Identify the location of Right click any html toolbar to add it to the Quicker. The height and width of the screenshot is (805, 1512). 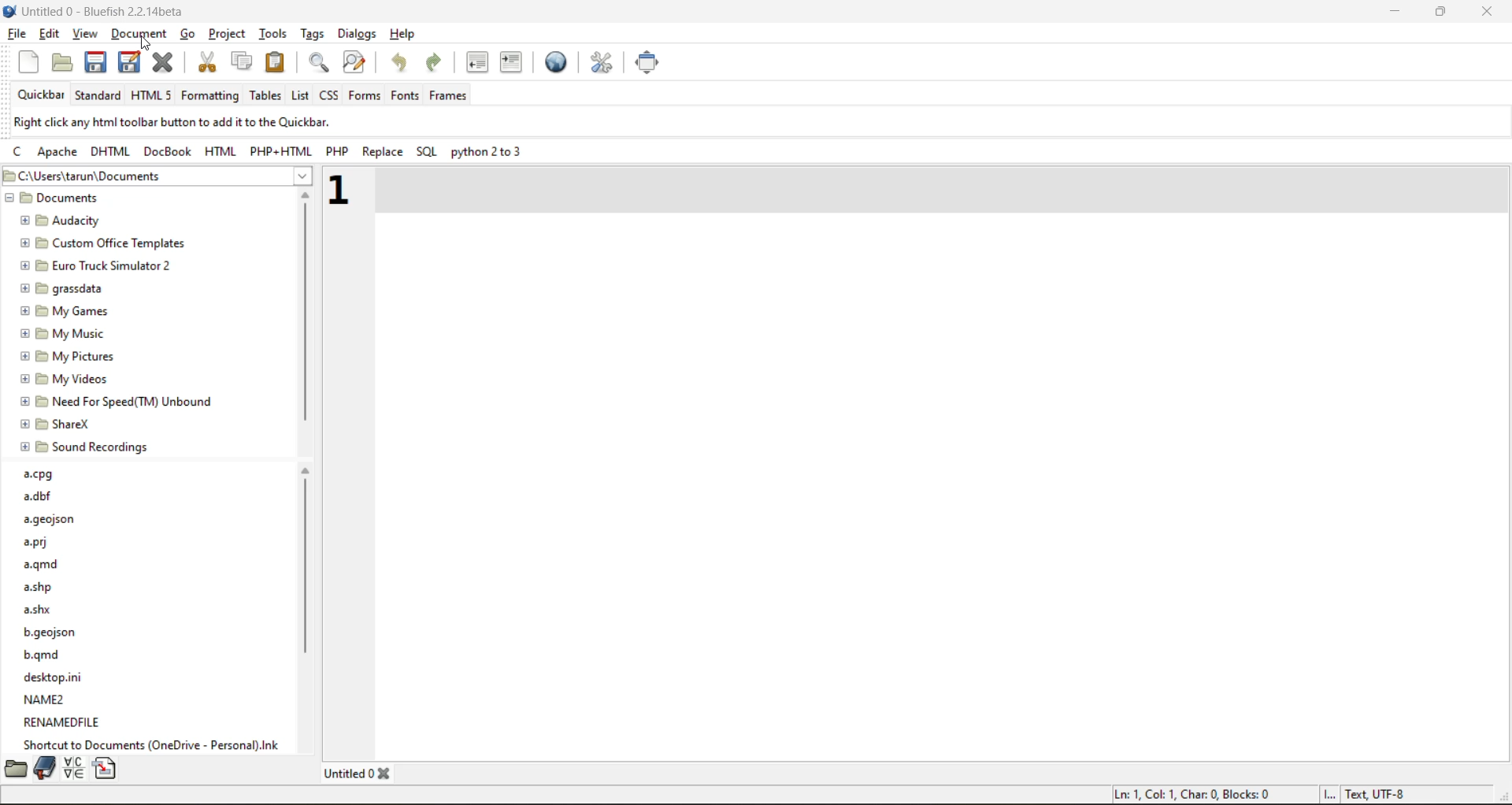
(174, 121).